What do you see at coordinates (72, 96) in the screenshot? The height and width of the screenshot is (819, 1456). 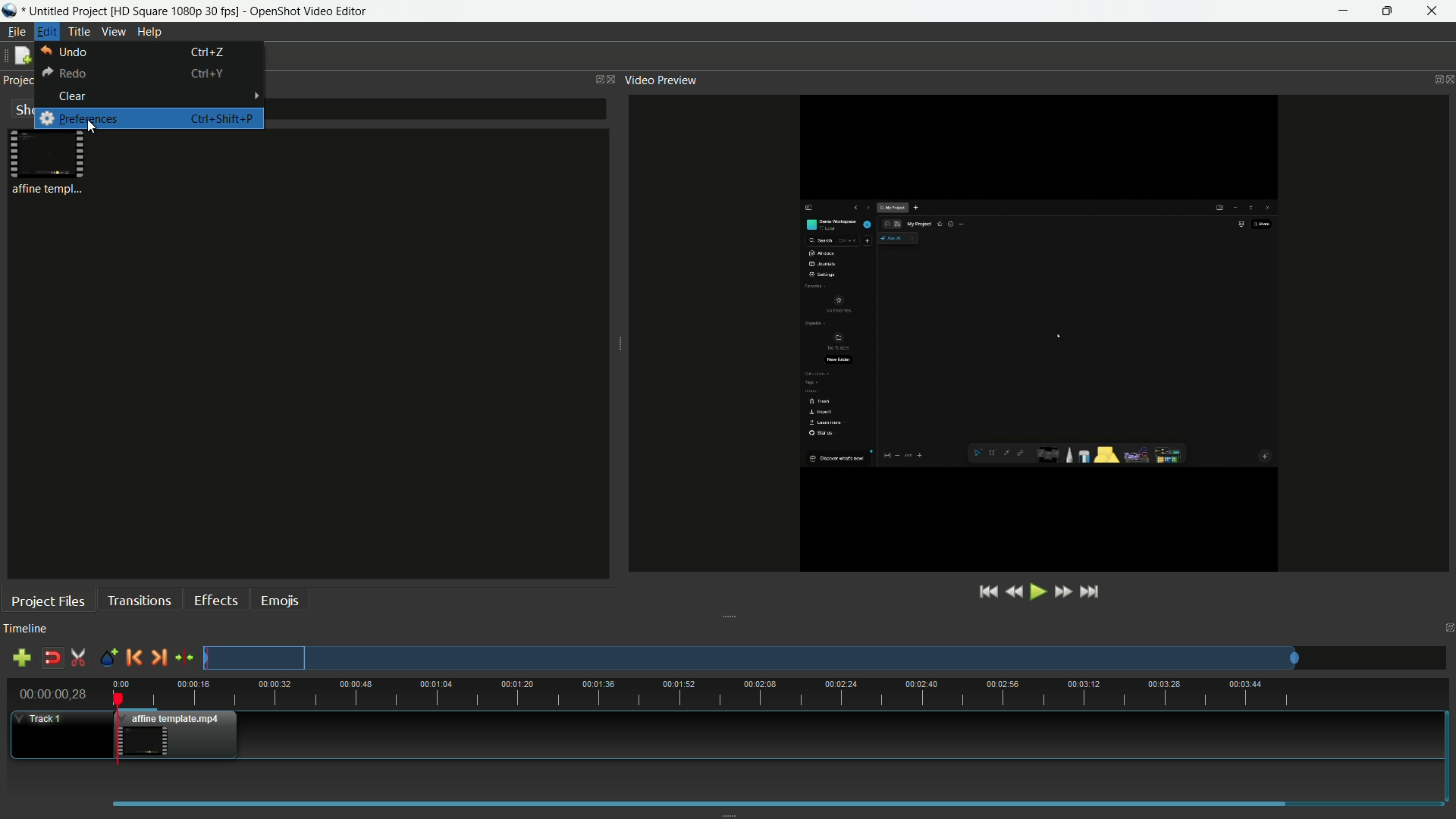 I see `clear` at bounding box center [72, 96].